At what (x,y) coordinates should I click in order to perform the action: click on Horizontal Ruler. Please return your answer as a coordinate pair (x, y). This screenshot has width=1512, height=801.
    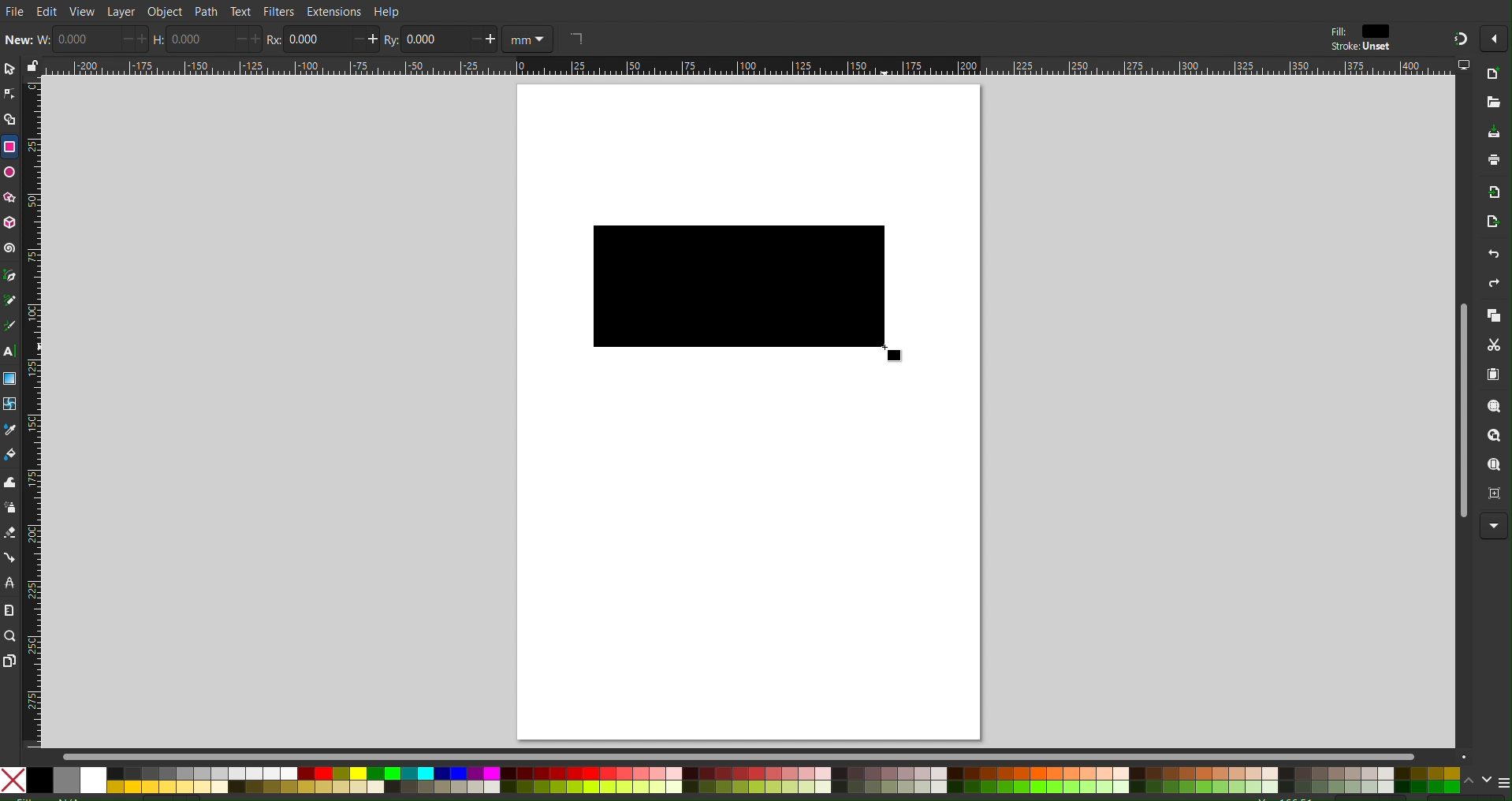
    Looking at the image, I should click on (748, 68).